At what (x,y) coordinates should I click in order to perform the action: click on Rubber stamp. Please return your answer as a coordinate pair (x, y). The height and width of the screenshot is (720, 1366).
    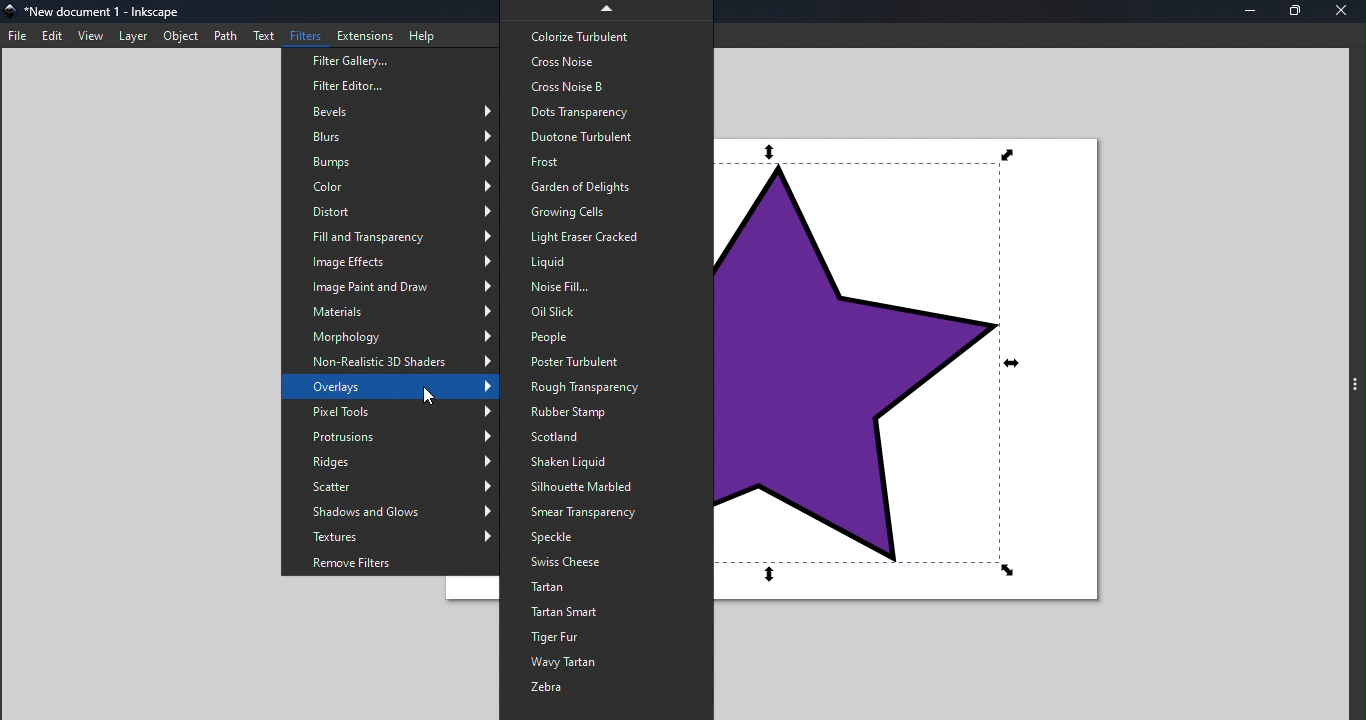
    Looking at the image, I should click on (606, 412).